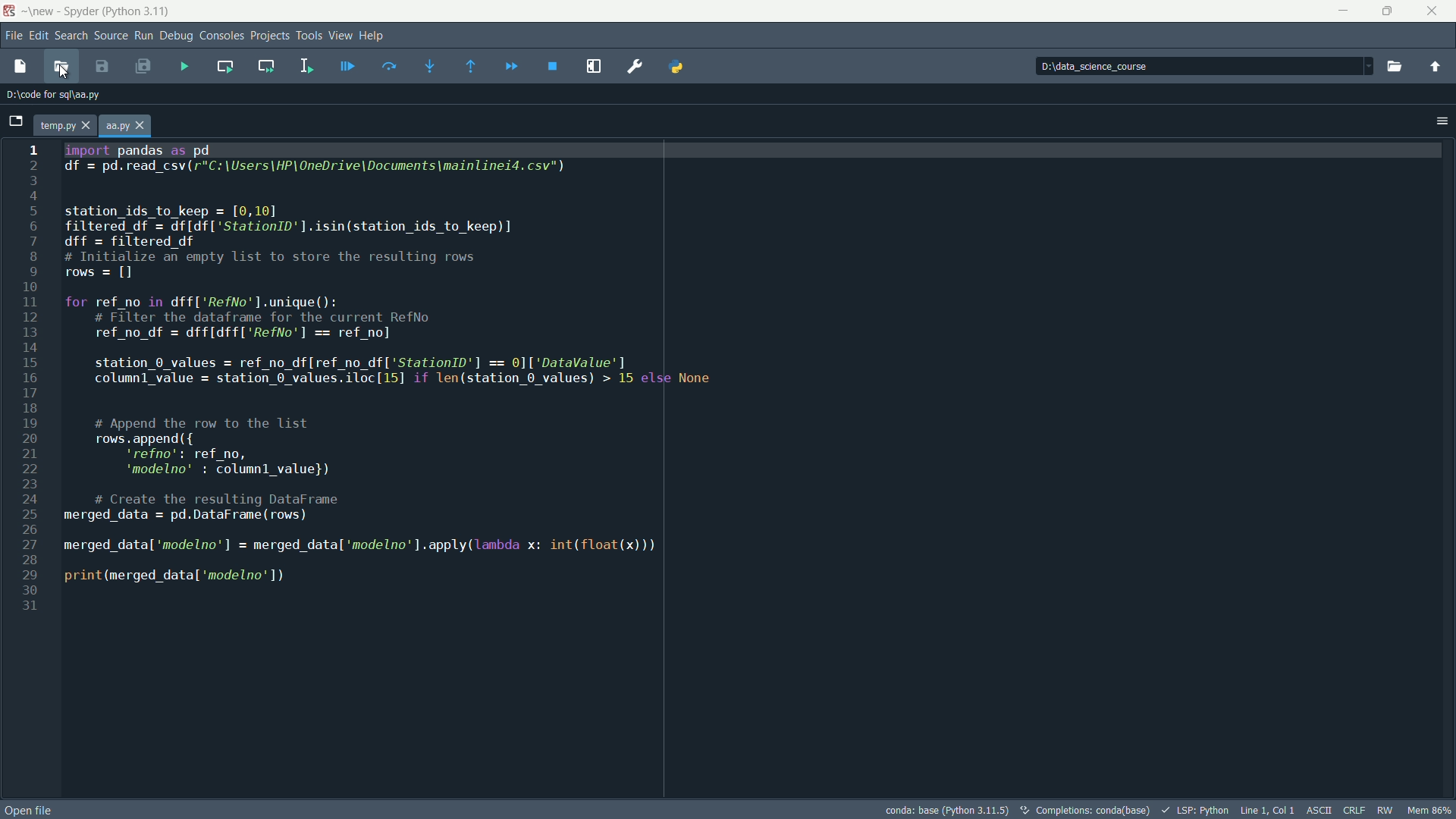 The height and width of the screenshot is (819, 1456). Describe the element at coordinates (112, 35) in the screenshot. I see `Source menu` at that location.